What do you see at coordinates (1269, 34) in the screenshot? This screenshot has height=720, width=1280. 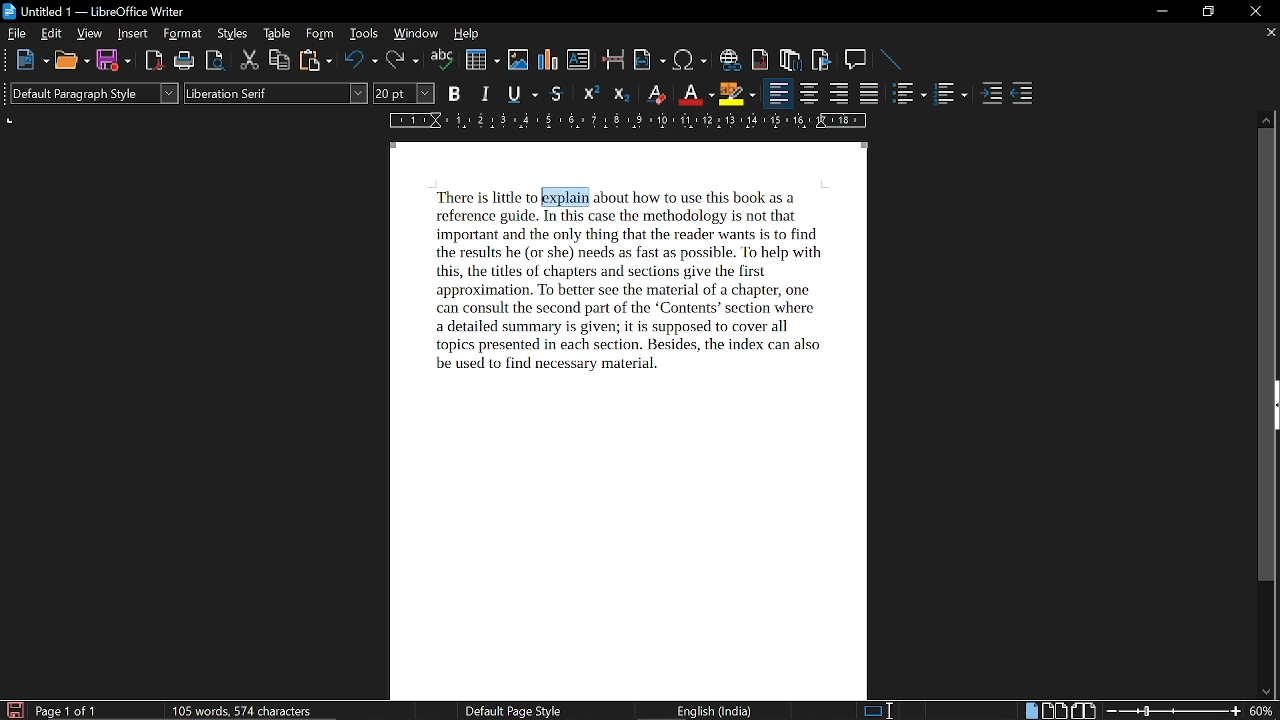 I see `close tab` at bounding box center [1269, 34].